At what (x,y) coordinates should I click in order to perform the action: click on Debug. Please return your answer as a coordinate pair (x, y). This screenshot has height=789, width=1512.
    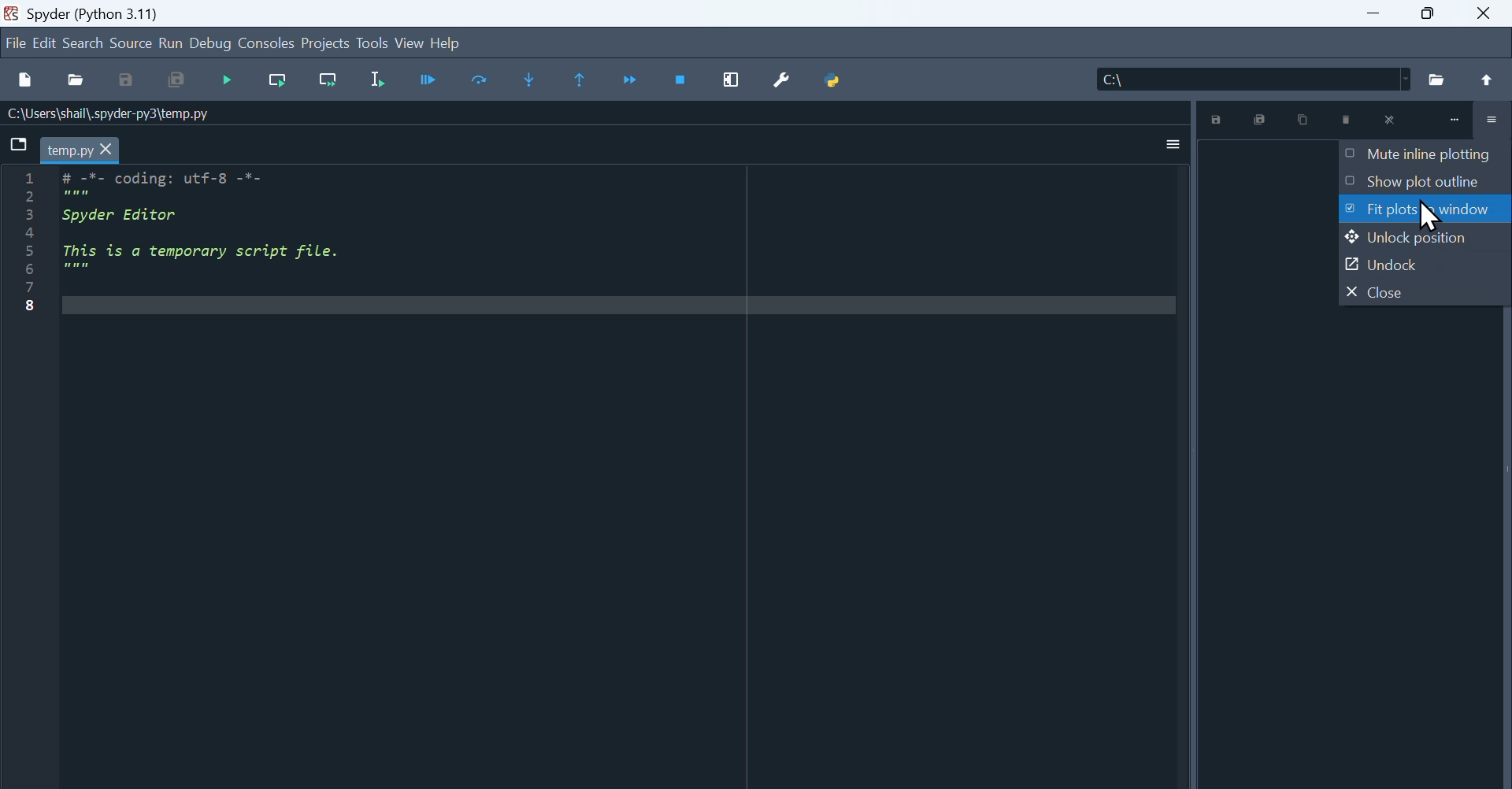
    Looking at the image, I should click on (213, 45).